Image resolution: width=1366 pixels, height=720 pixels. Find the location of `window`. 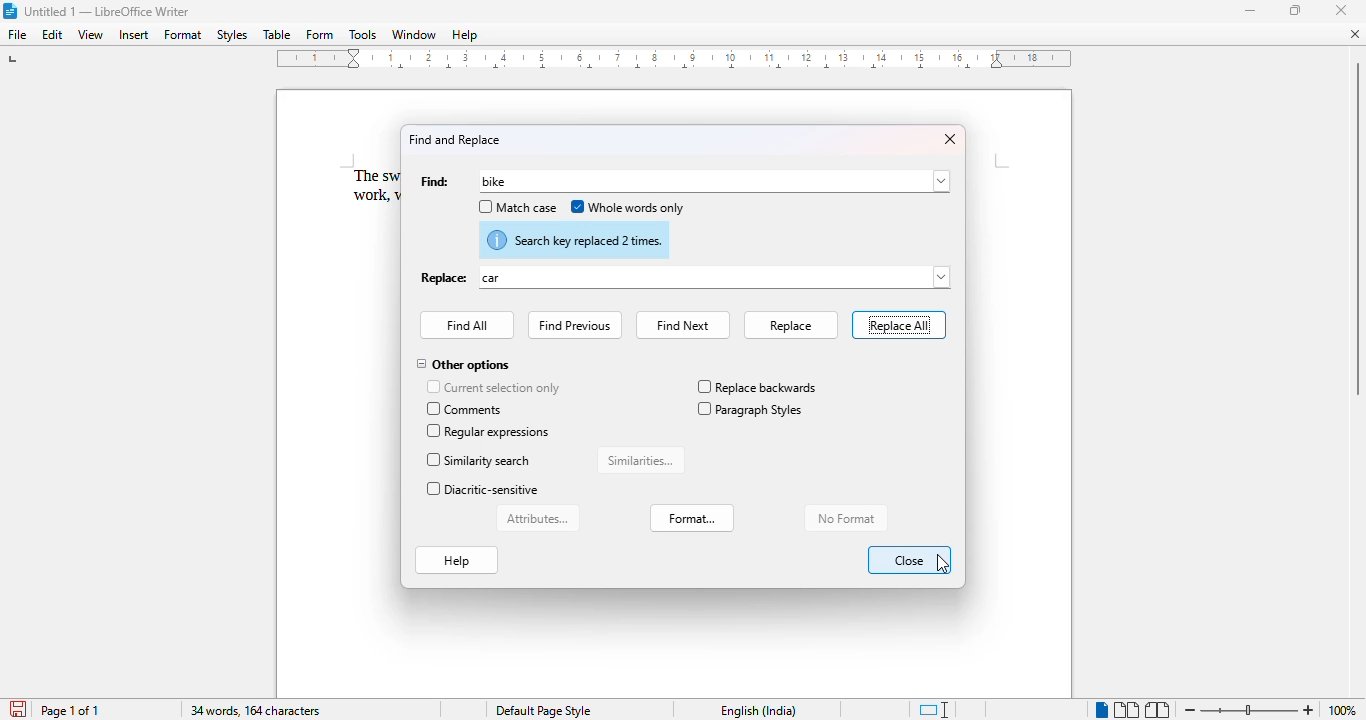

window is located at coordinates (413, 35).